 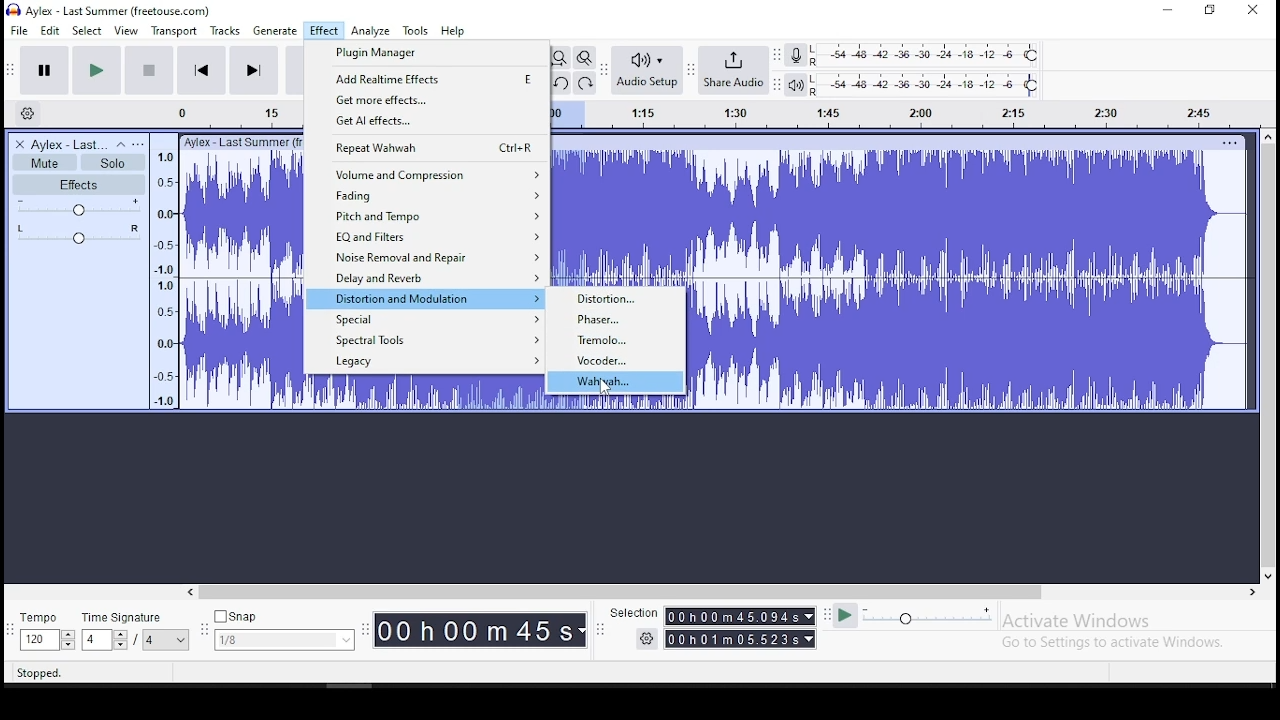 I want to click on add real time effects, so click(x=428, y=77).